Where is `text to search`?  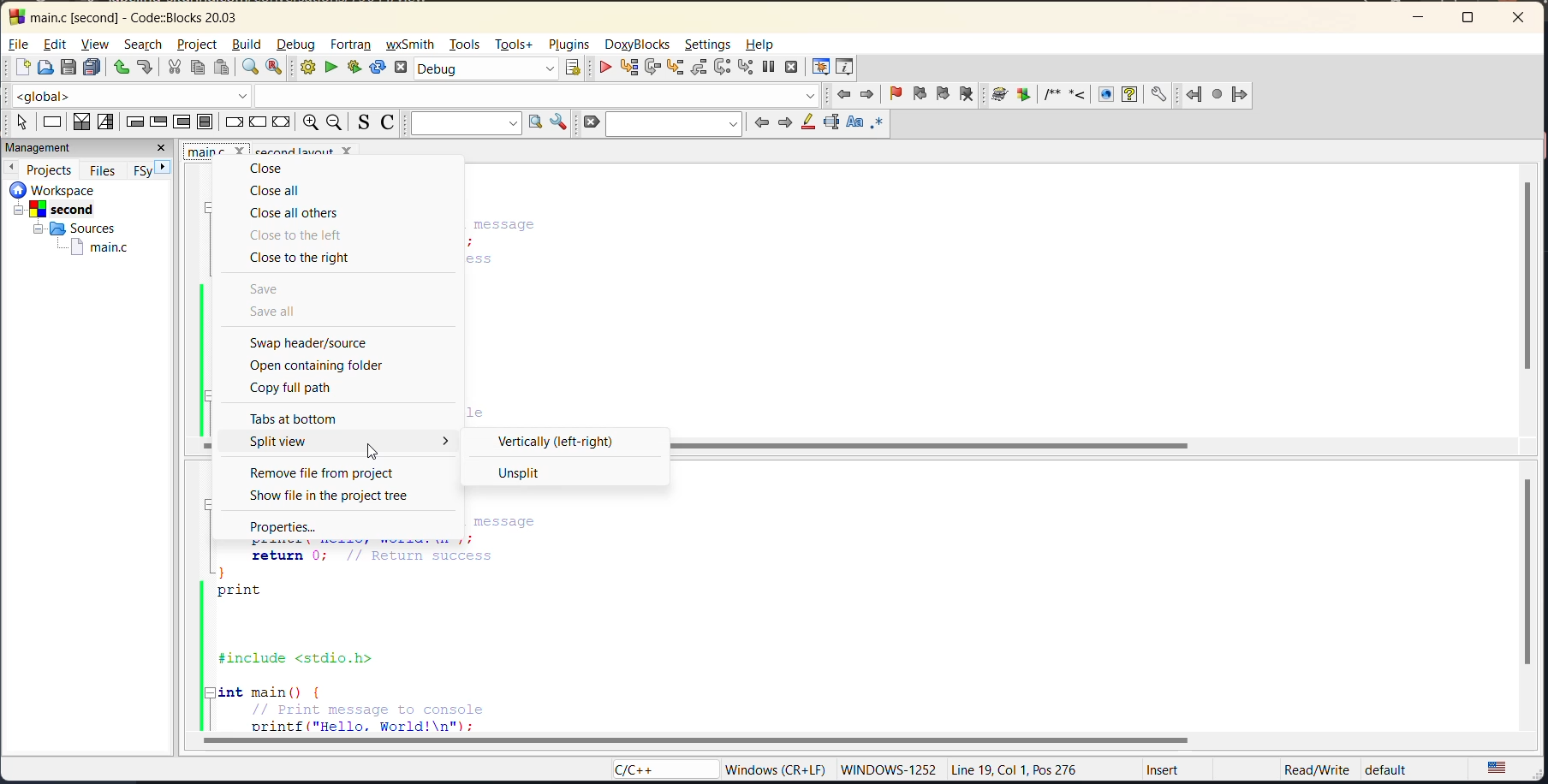 text to search is located at coordinates (470, 124).